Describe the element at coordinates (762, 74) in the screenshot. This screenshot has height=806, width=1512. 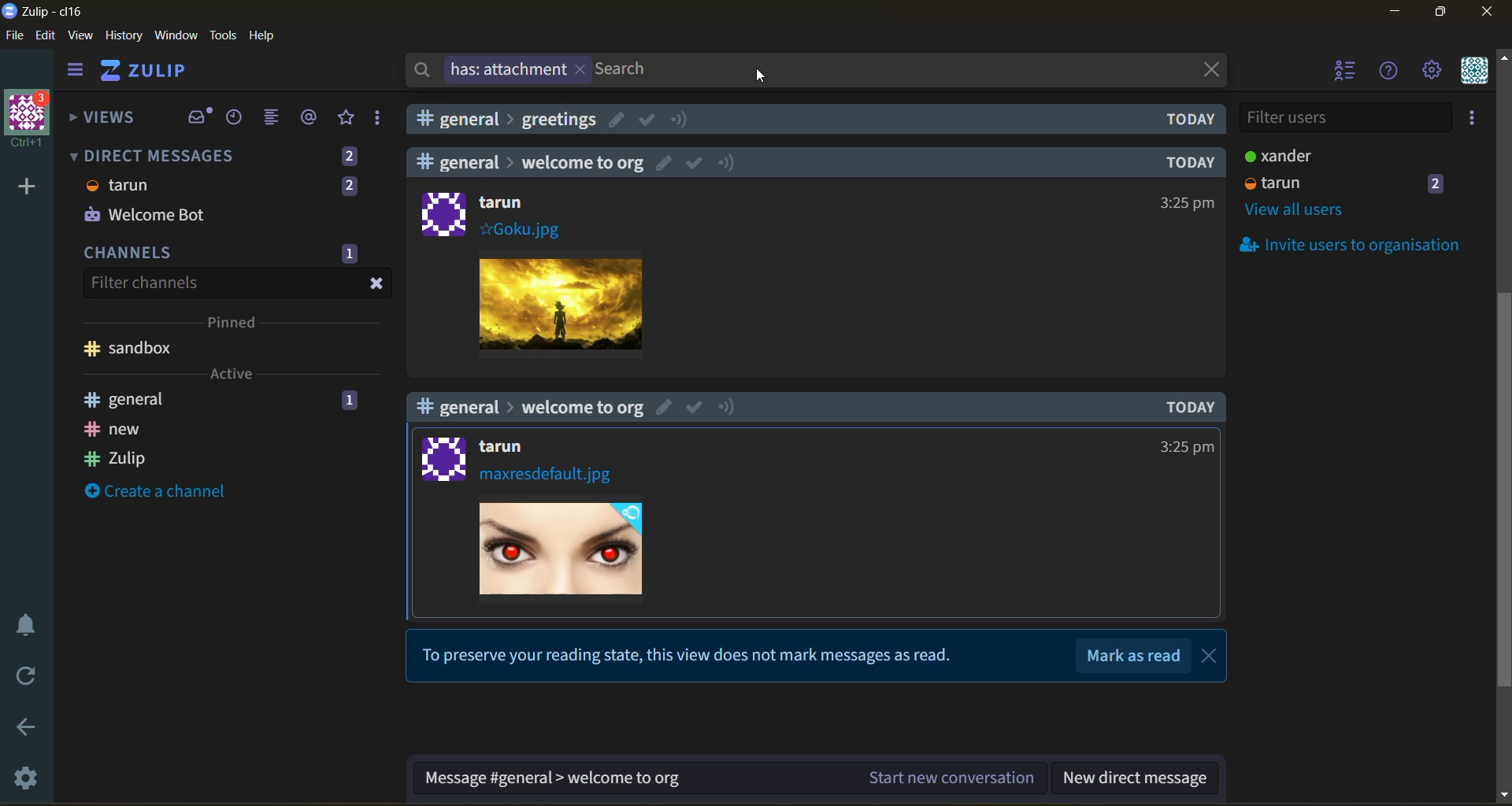
I see `cursor` at that location.